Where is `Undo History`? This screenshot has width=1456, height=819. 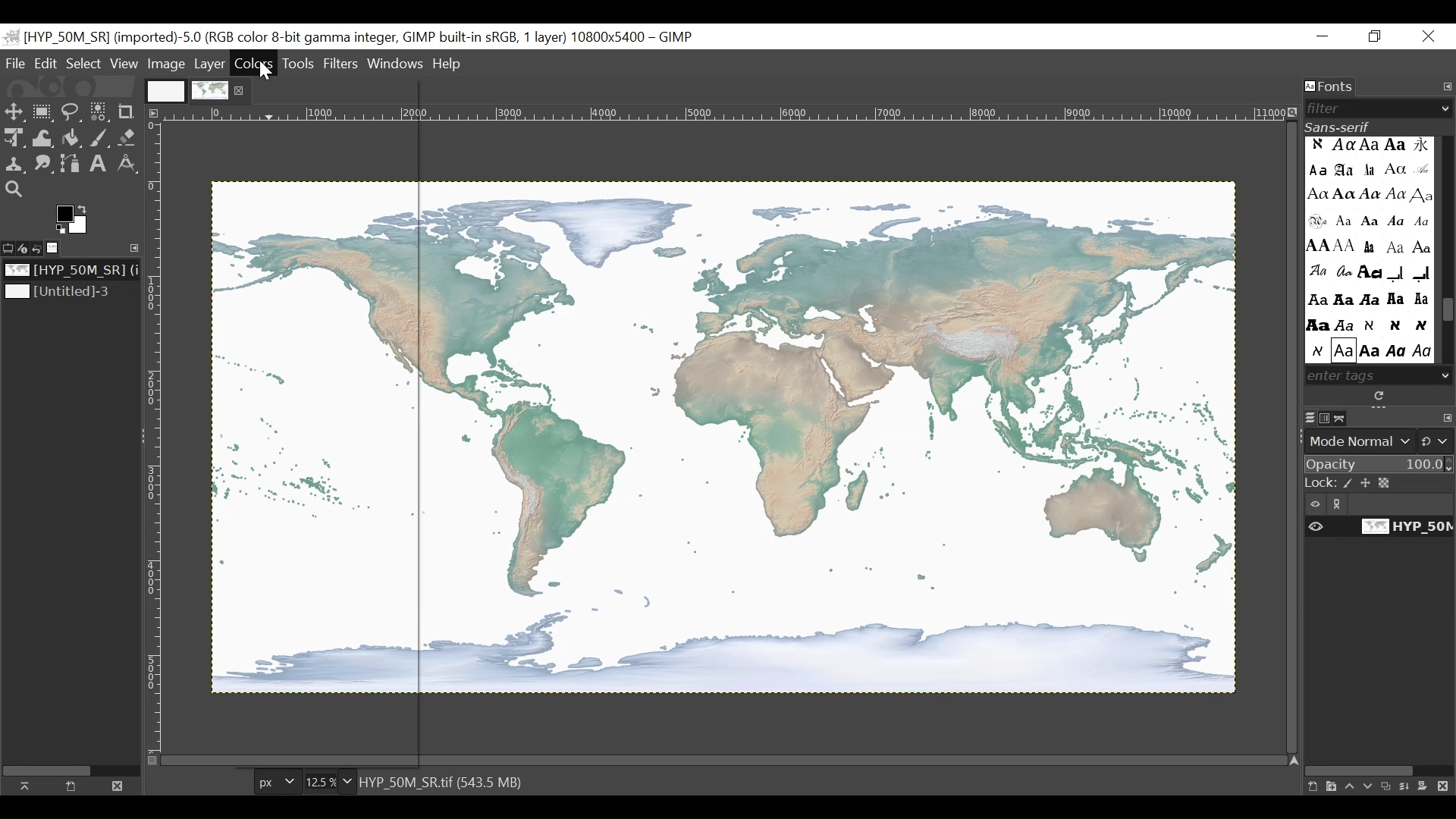 Undo History is located at coordinates (42, 249).